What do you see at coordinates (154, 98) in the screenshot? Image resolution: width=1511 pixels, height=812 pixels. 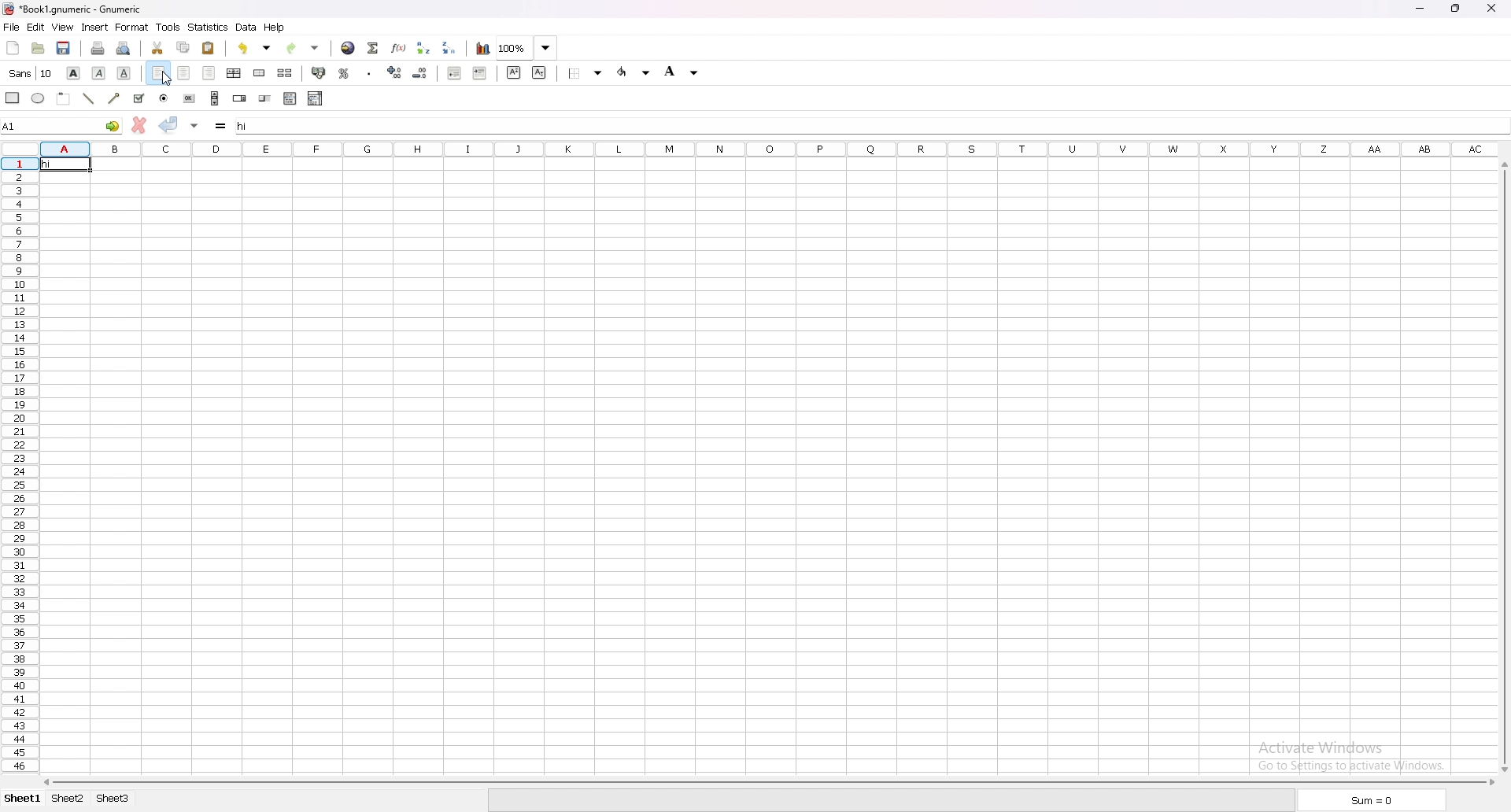 I see `align left` at bounding box center [154, 98].